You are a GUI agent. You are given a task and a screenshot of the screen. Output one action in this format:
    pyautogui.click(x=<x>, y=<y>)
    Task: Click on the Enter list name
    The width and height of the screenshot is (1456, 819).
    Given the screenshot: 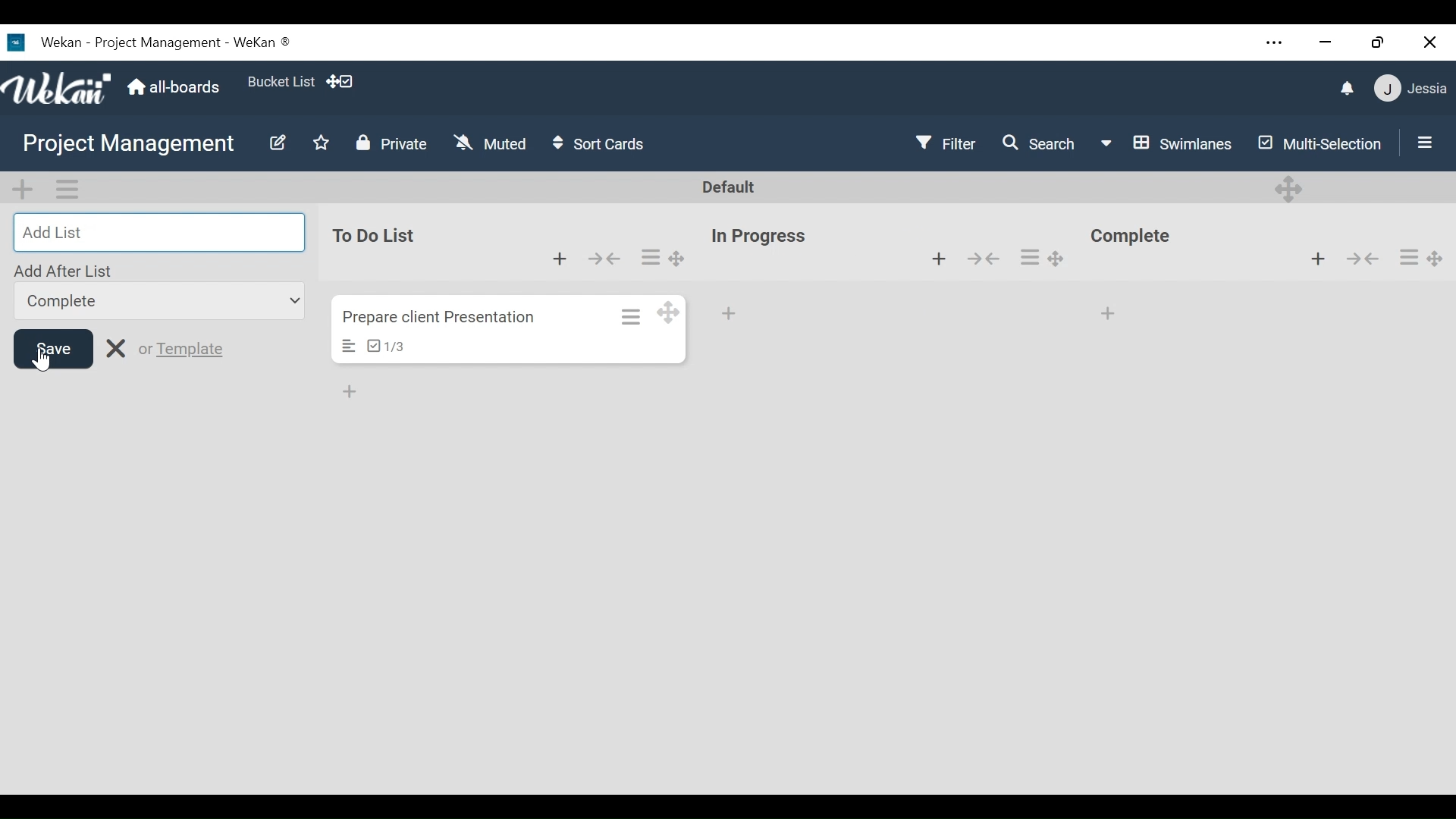 What is the action you would take?
    pyautogui.click(x=158, y=231)
    